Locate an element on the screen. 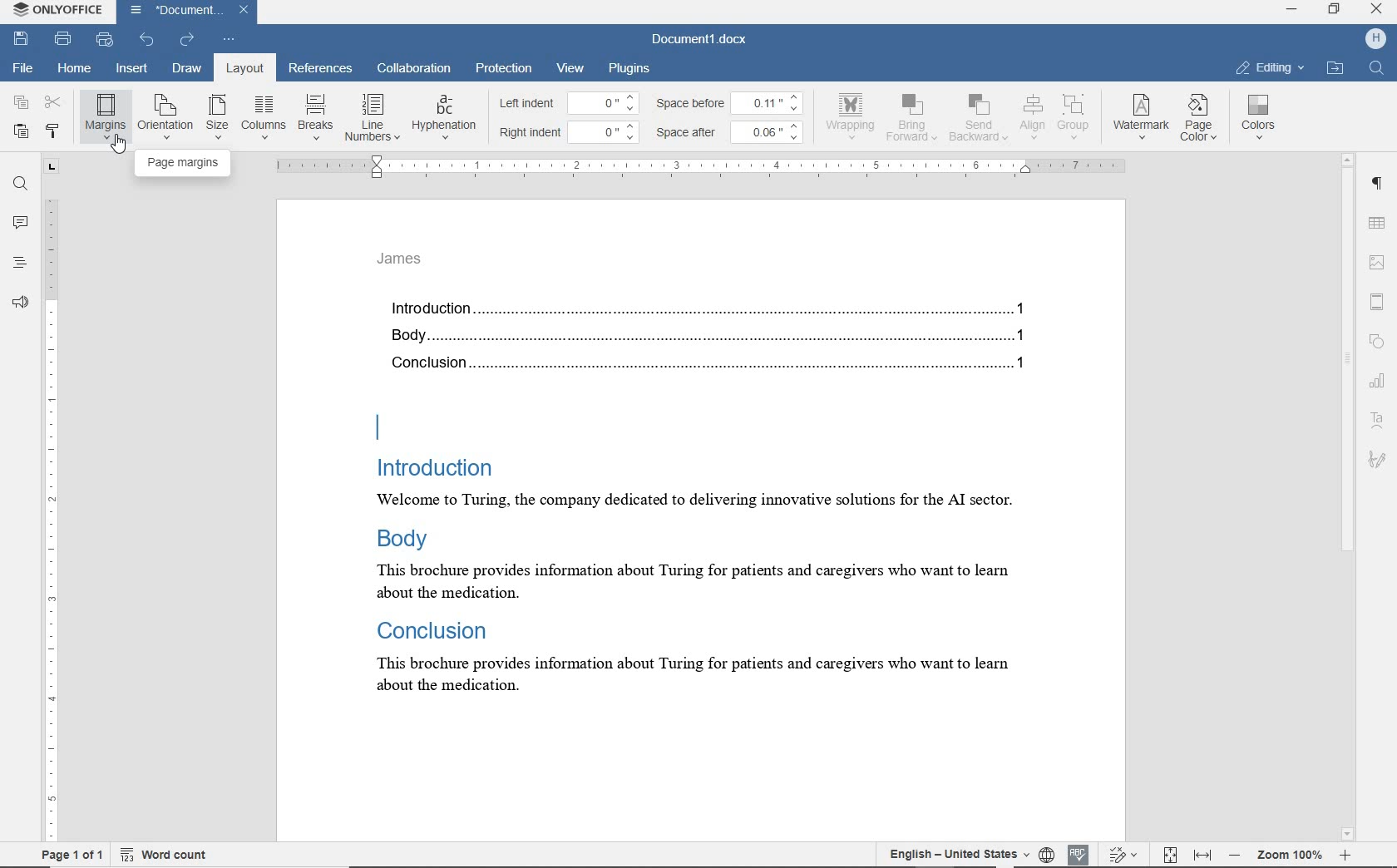 Image resolution: width=1397 pixels, height=868 pixels. redo is located at coordinates (187, 40).